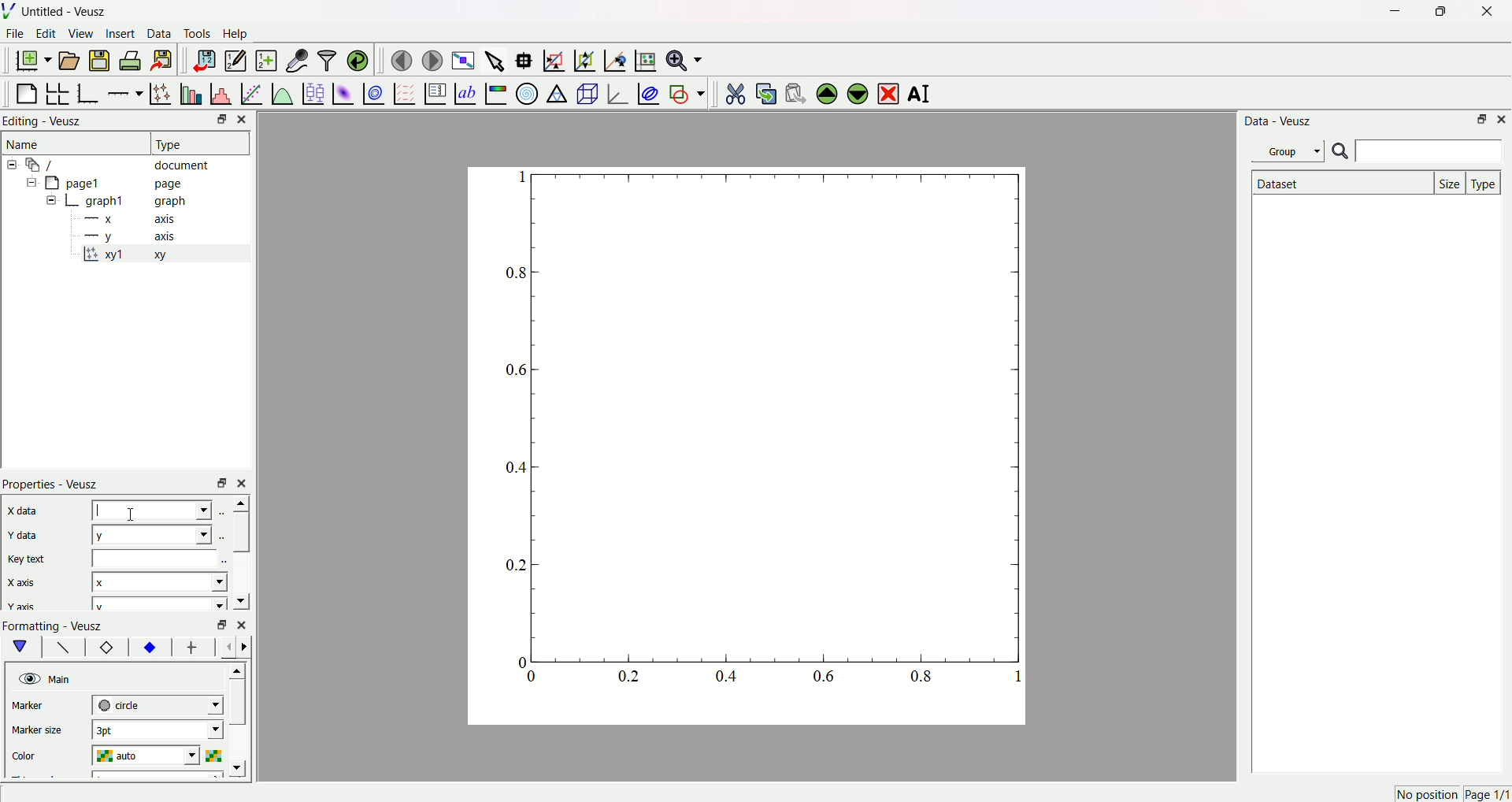 This screenshot has width=1512, height=802. What do you see at coordinates (402, 93) in the screenshot?
I see `plot a vector field` at bounding box center [402, 93].